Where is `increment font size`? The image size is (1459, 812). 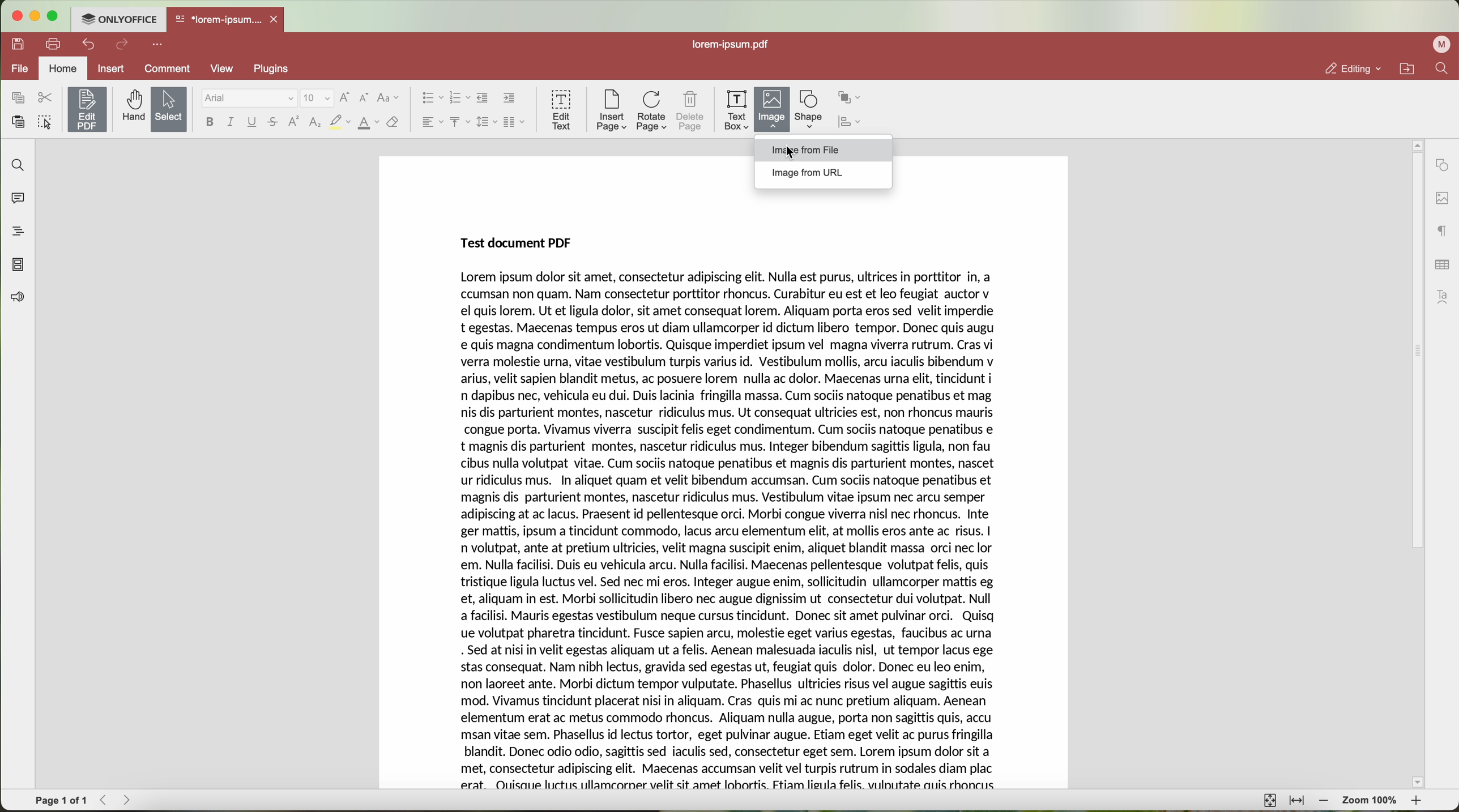
increment font size is located at coordinates (344, 97).